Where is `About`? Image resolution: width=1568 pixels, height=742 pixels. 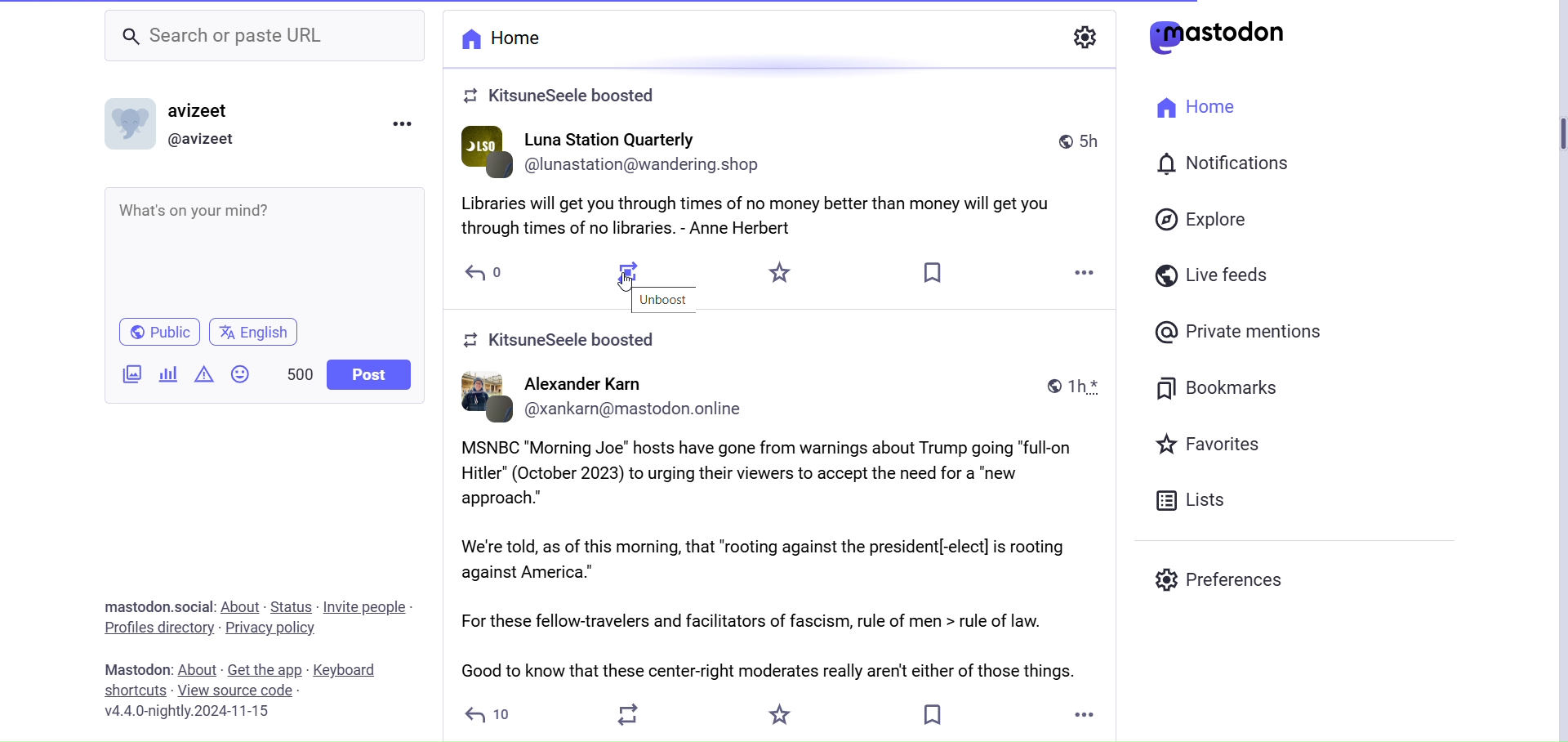
About is located at coordinates (198, 669).